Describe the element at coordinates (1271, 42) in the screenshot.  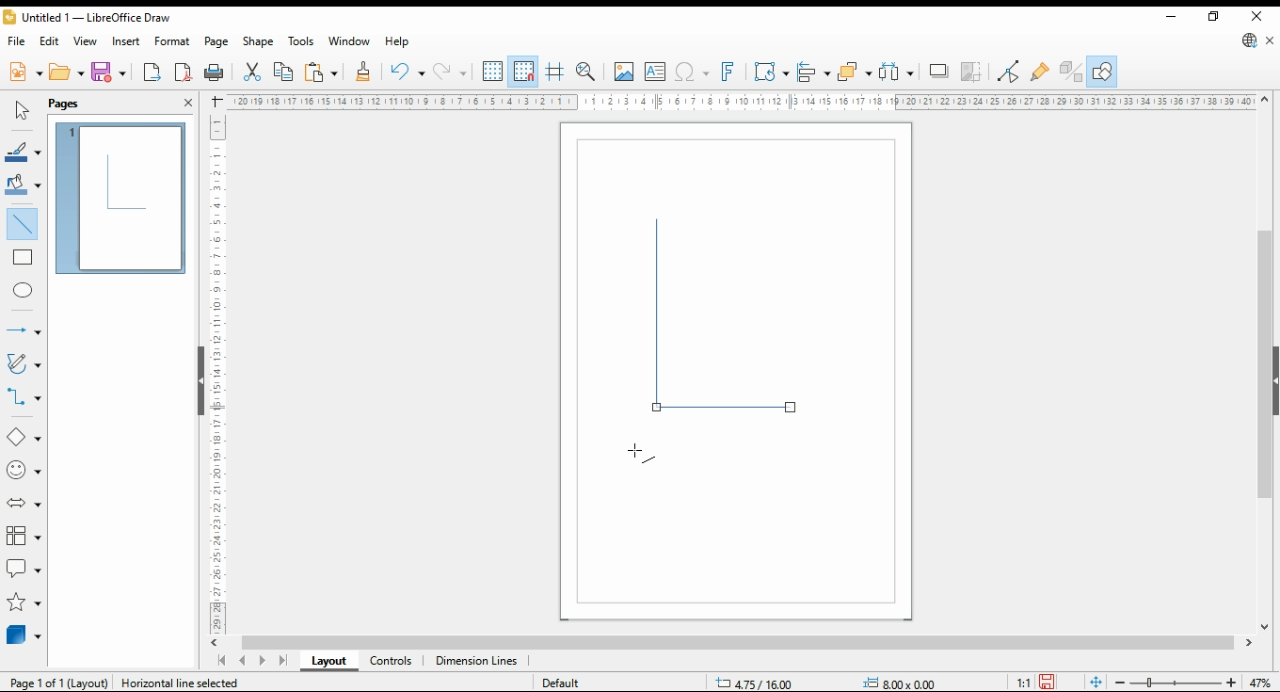
I see `close document` at that location.